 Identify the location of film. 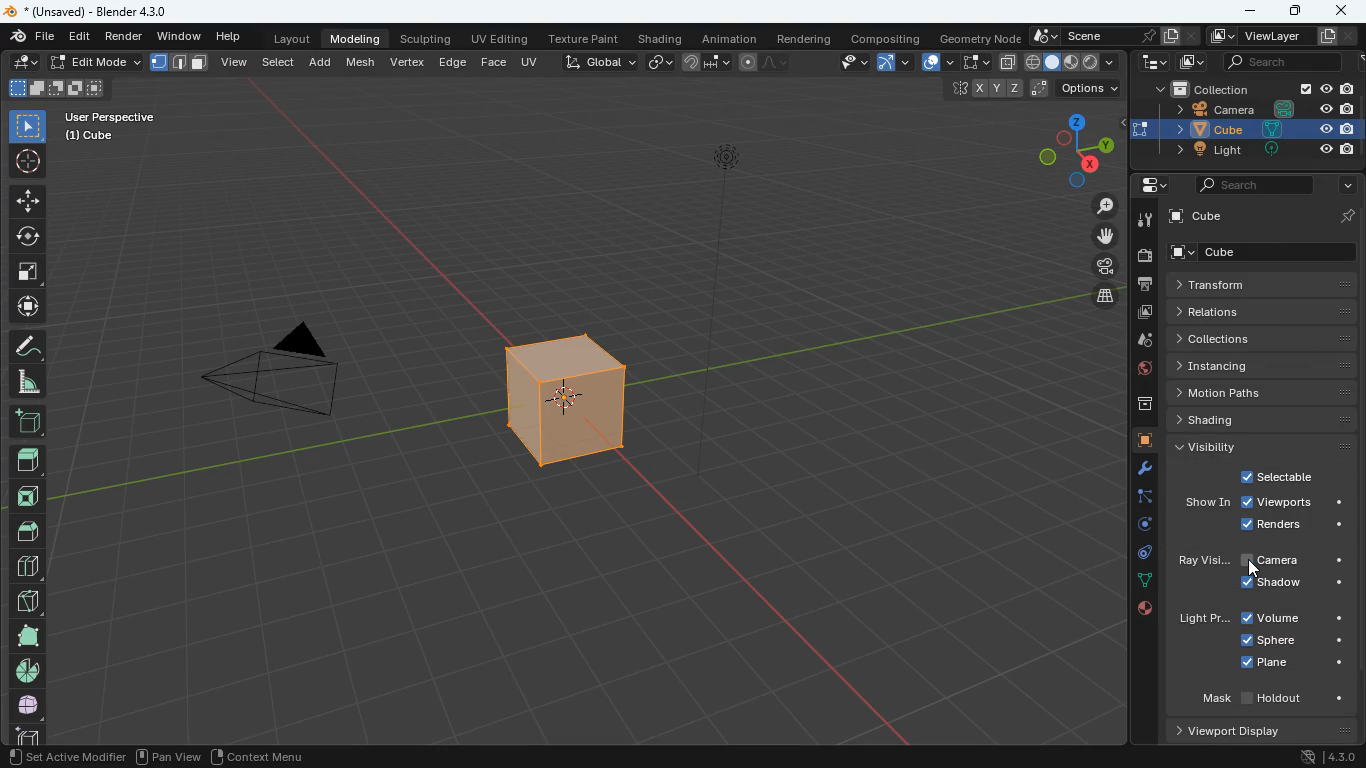
(1107, 268).